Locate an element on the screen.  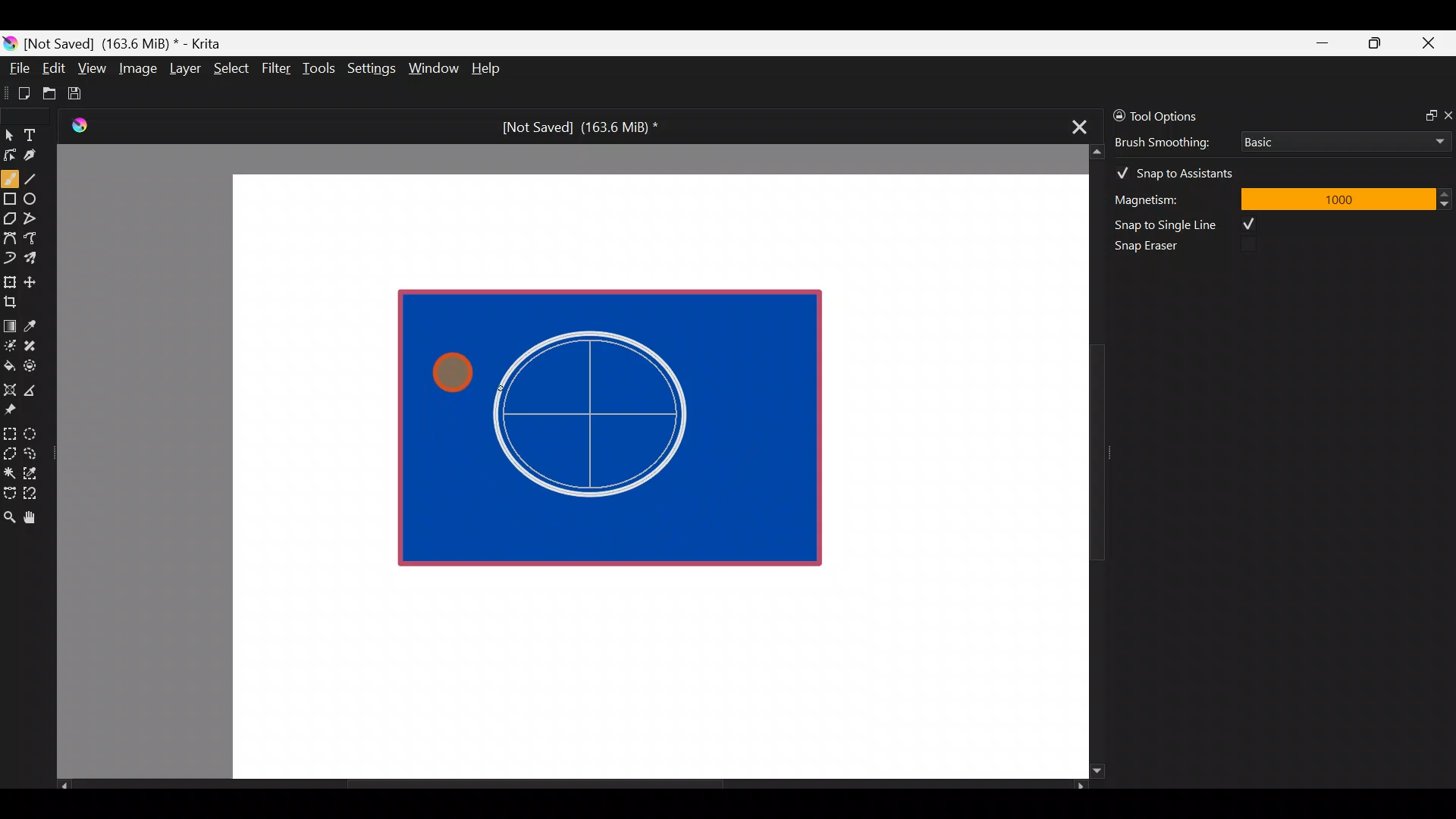
Multibrush tool is located at coordinates (36, 257).